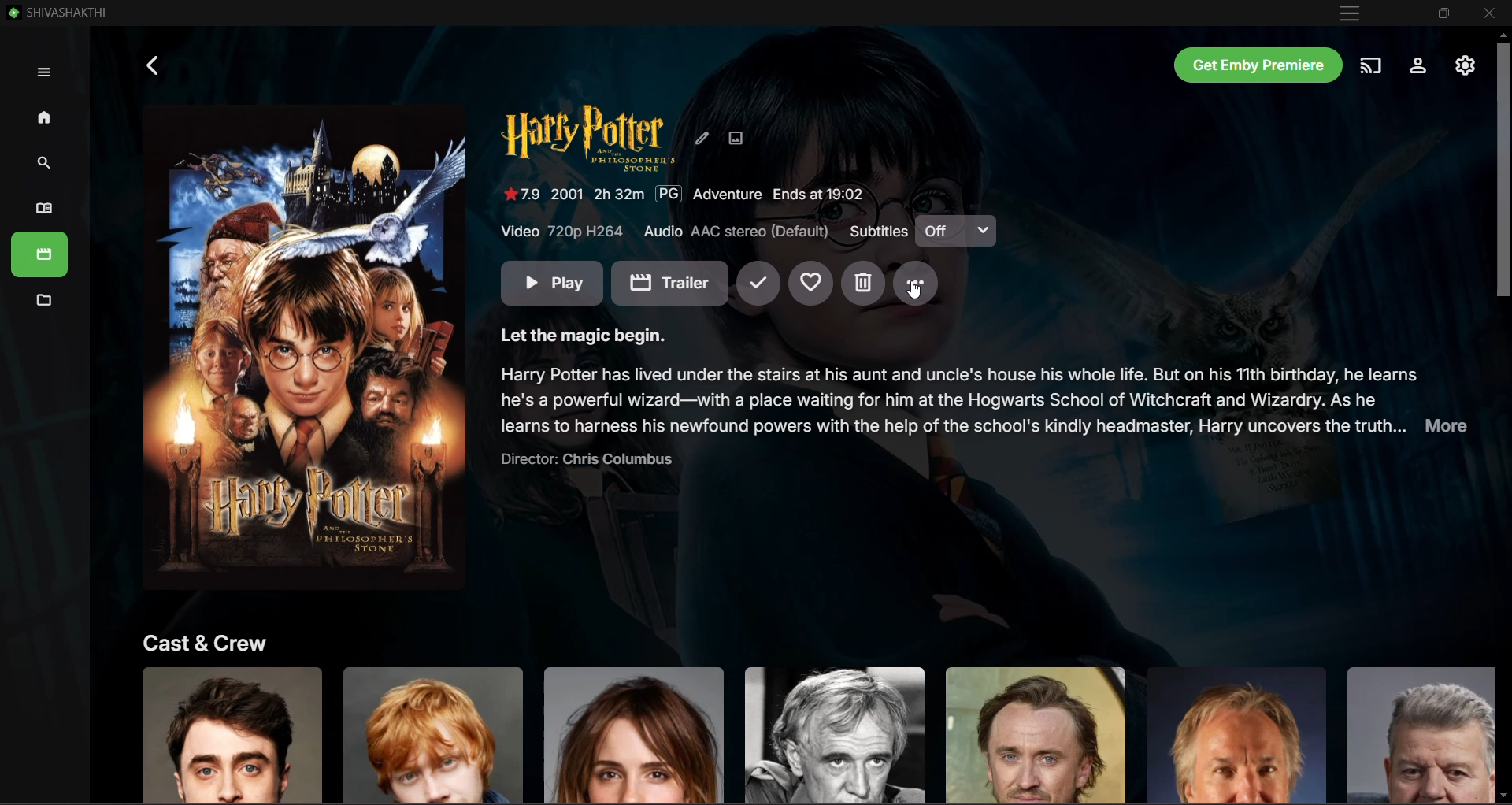  Describe the element at coordinates (1373, 65) in the screenshot. I see `Play on another device` at that location.